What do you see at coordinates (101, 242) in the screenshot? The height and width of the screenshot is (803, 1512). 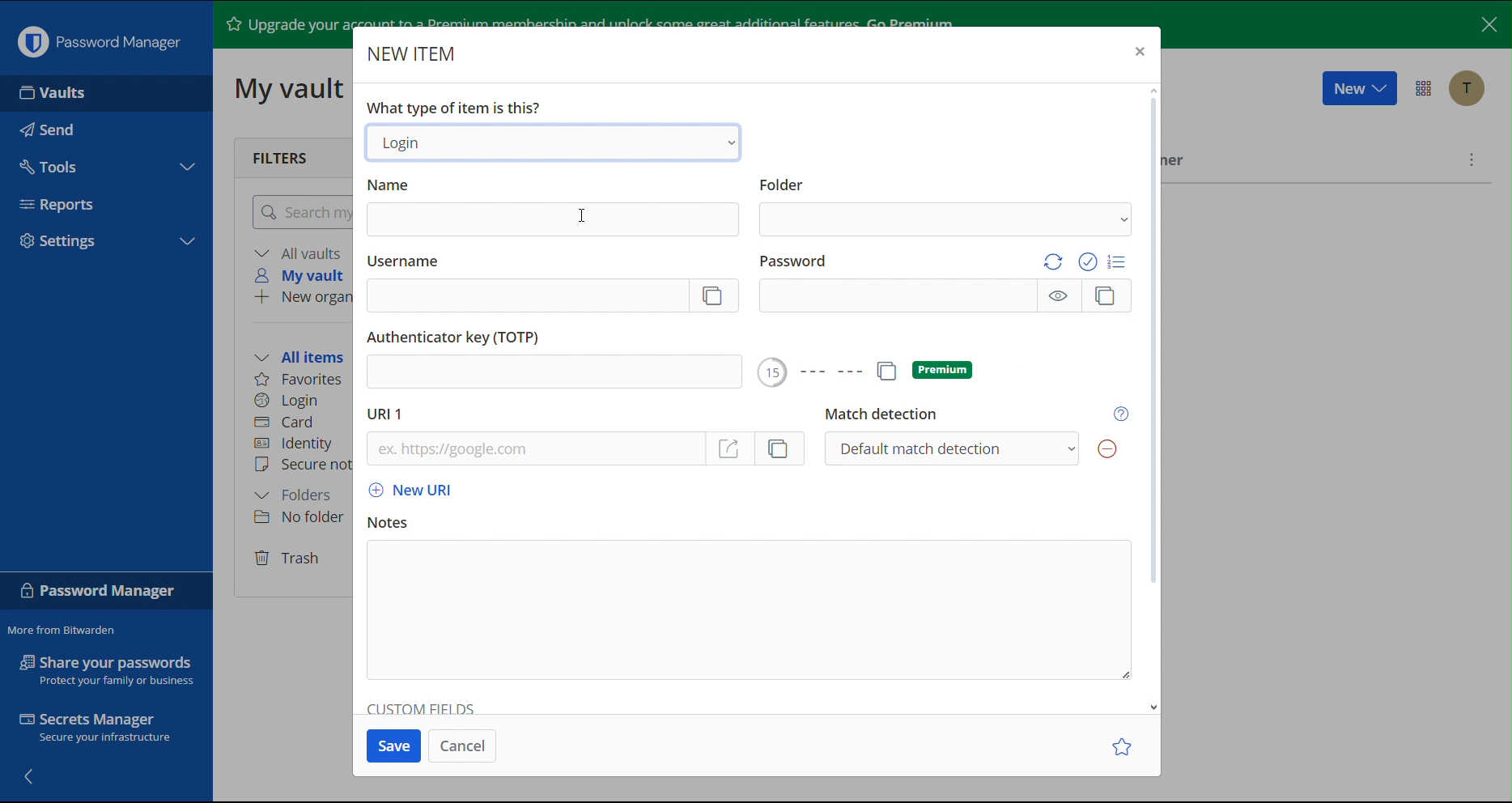 I see `Settings` at bounding box center [101, 242].